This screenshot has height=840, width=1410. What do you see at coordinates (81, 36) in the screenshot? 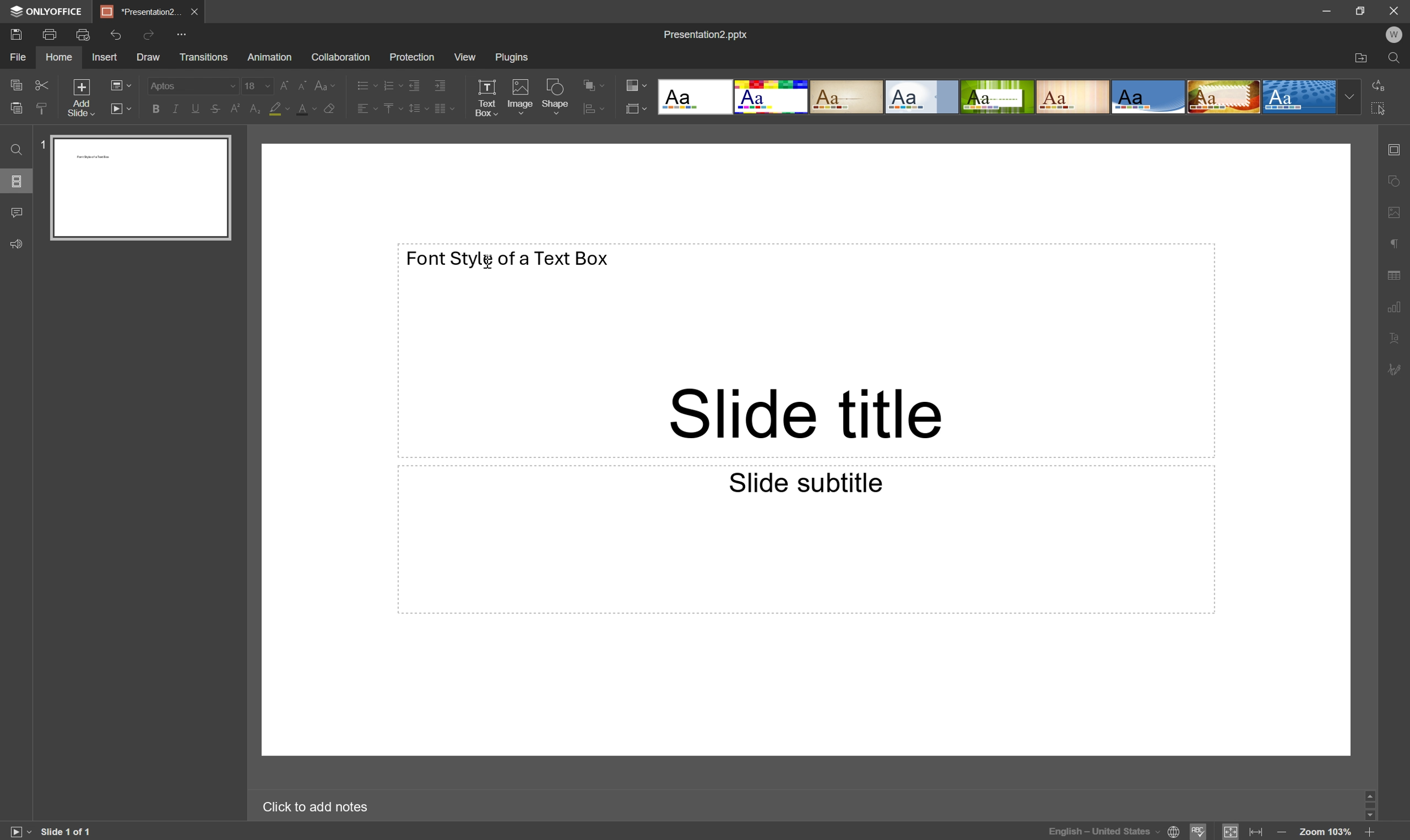
I see `Quick print` at bounding box center [81, 36].